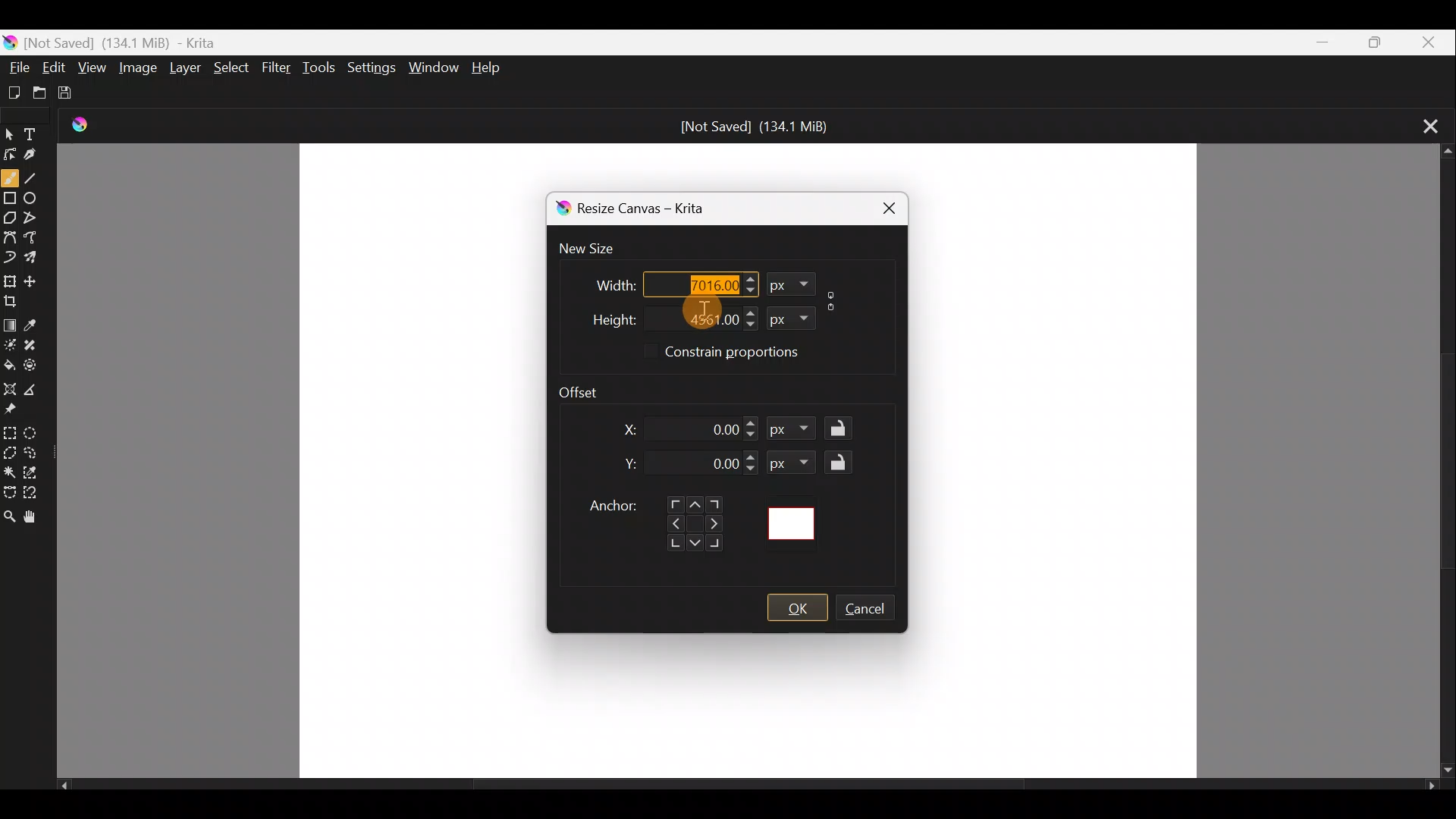 Image resolution: width=1456 pixels, height=819 pixels. What do you see at coordinates (9, 489) in the screenshot?
I see `Bezier curve selection tool` at bounding box center [9, 489].